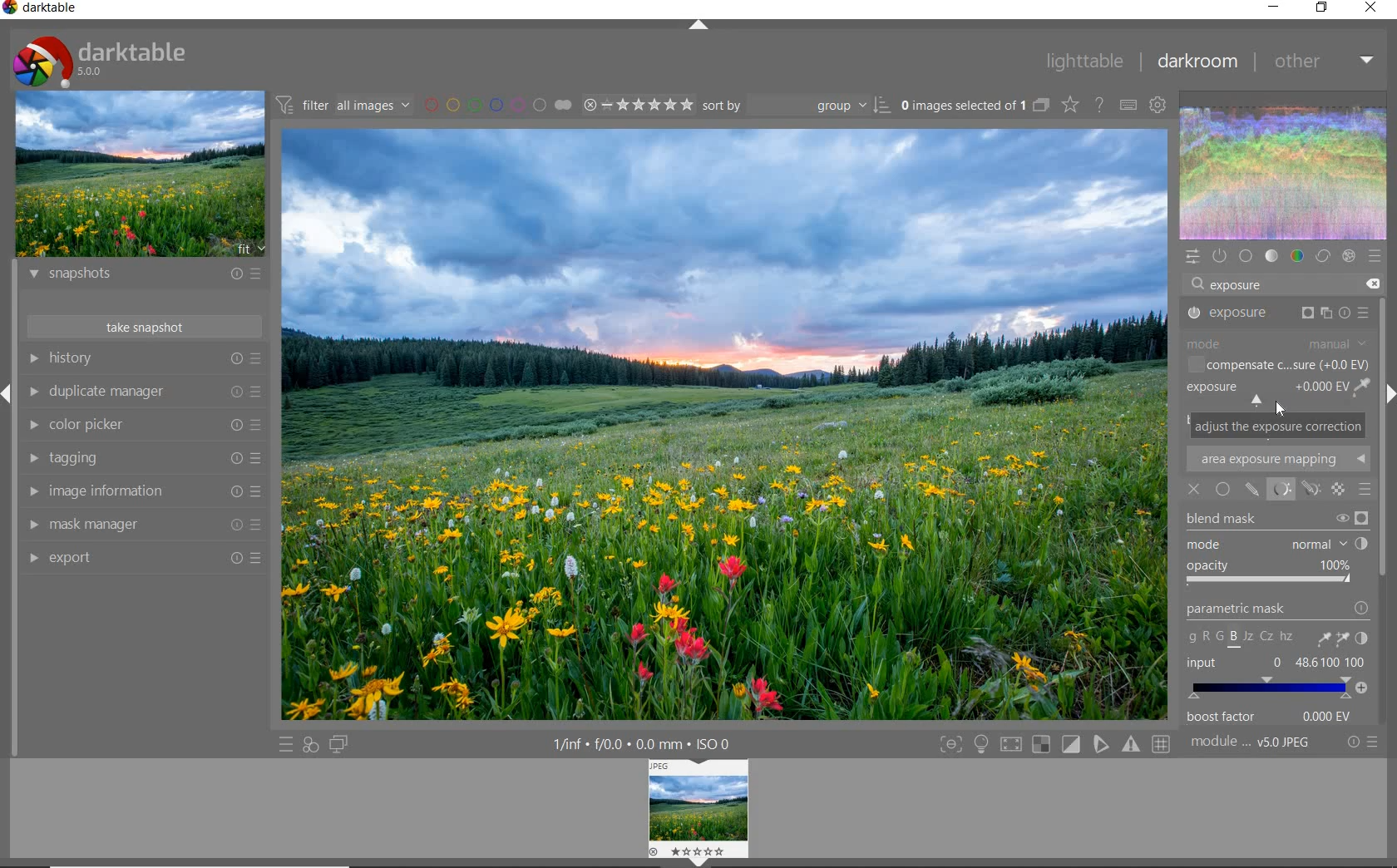 Image resolution: width=1397 pixels, height=868 pixels. Describe the element at coordinates (1086, 63) in the screenshot. I see `lighttable` at that location.